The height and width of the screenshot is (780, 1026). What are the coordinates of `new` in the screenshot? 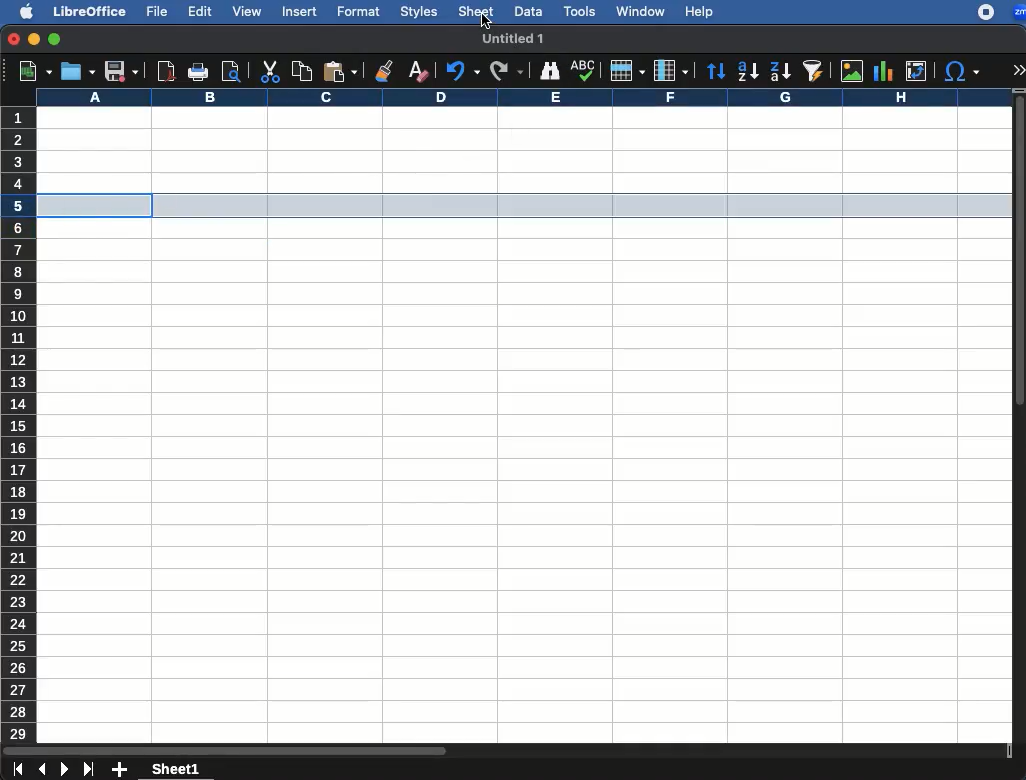 It's located at (31, 71).